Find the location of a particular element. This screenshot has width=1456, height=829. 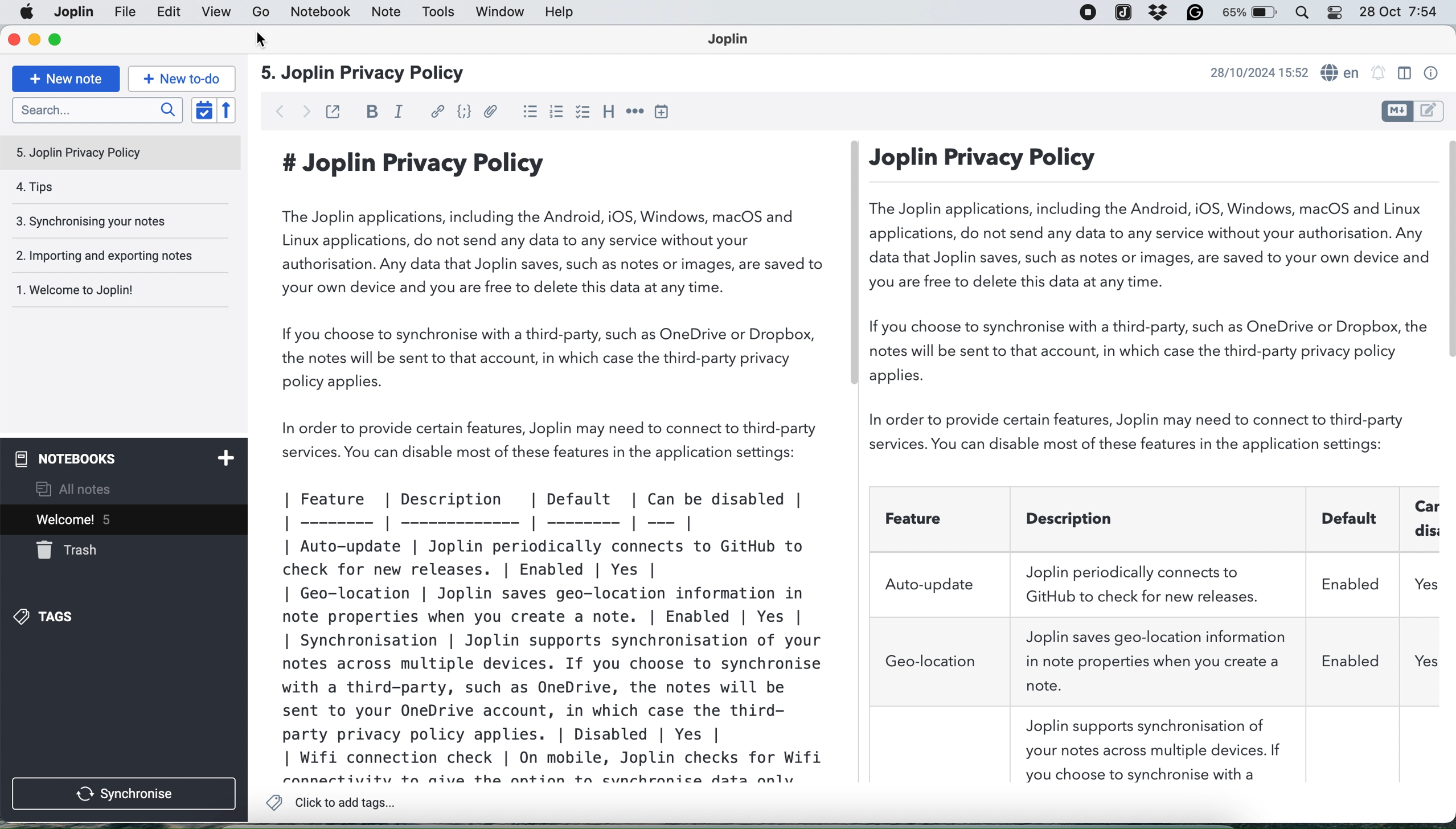

search is located at coordinates (97, 113).